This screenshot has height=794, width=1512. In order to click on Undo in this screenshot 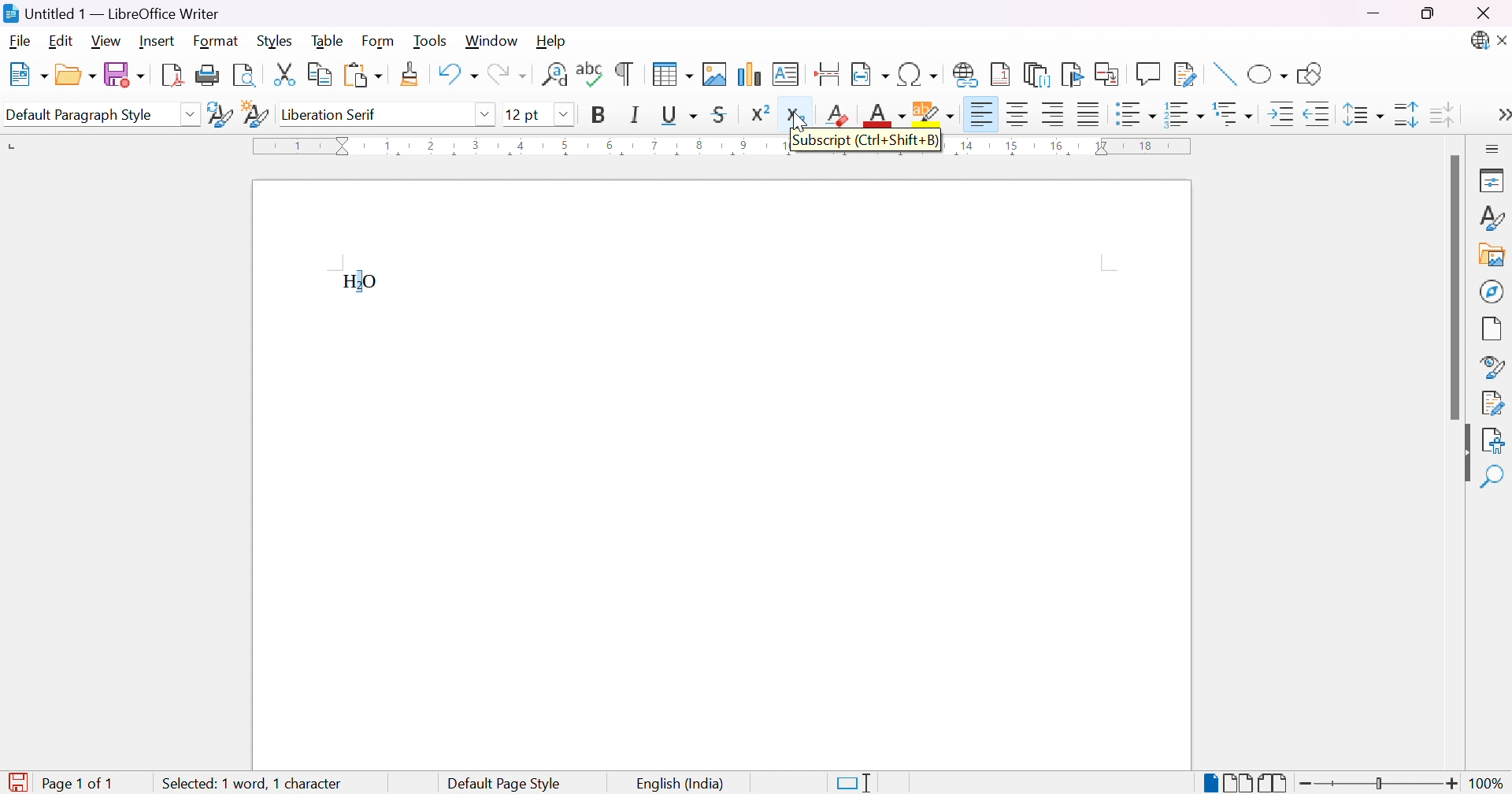, I will do `click(456, 78)`.